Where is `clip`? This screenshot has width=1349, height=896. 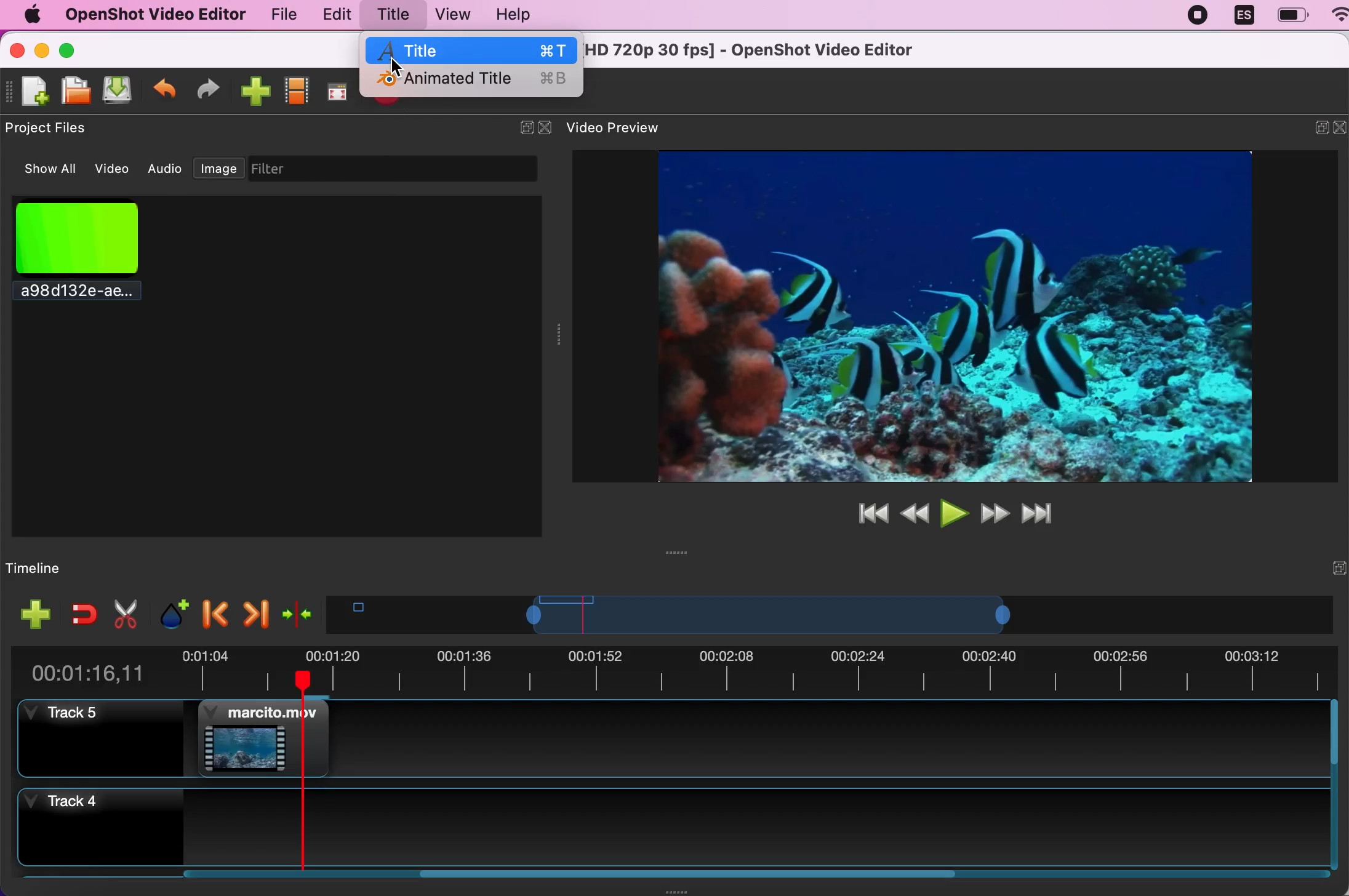 clip is located at coordinates (266, 736).